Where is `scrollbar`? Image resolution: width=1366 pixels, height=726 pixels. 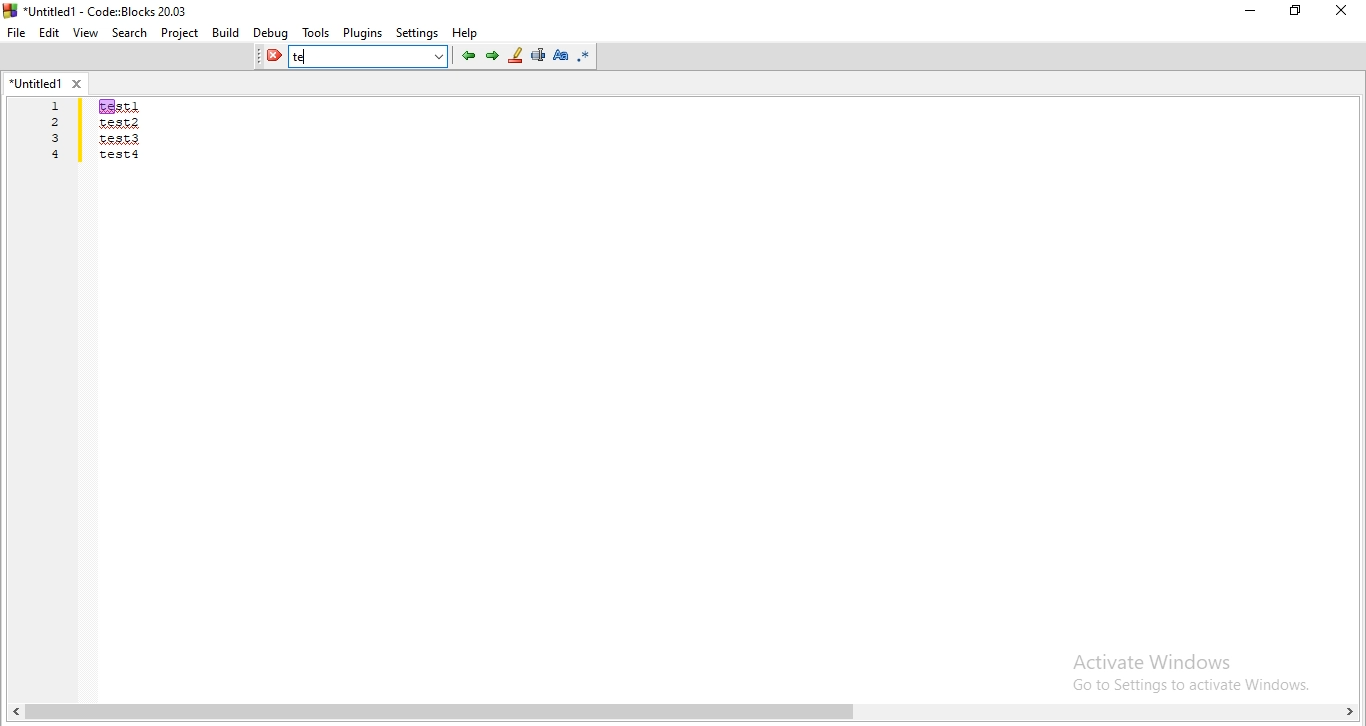
scrollbar is located at coordinates (686, 714).